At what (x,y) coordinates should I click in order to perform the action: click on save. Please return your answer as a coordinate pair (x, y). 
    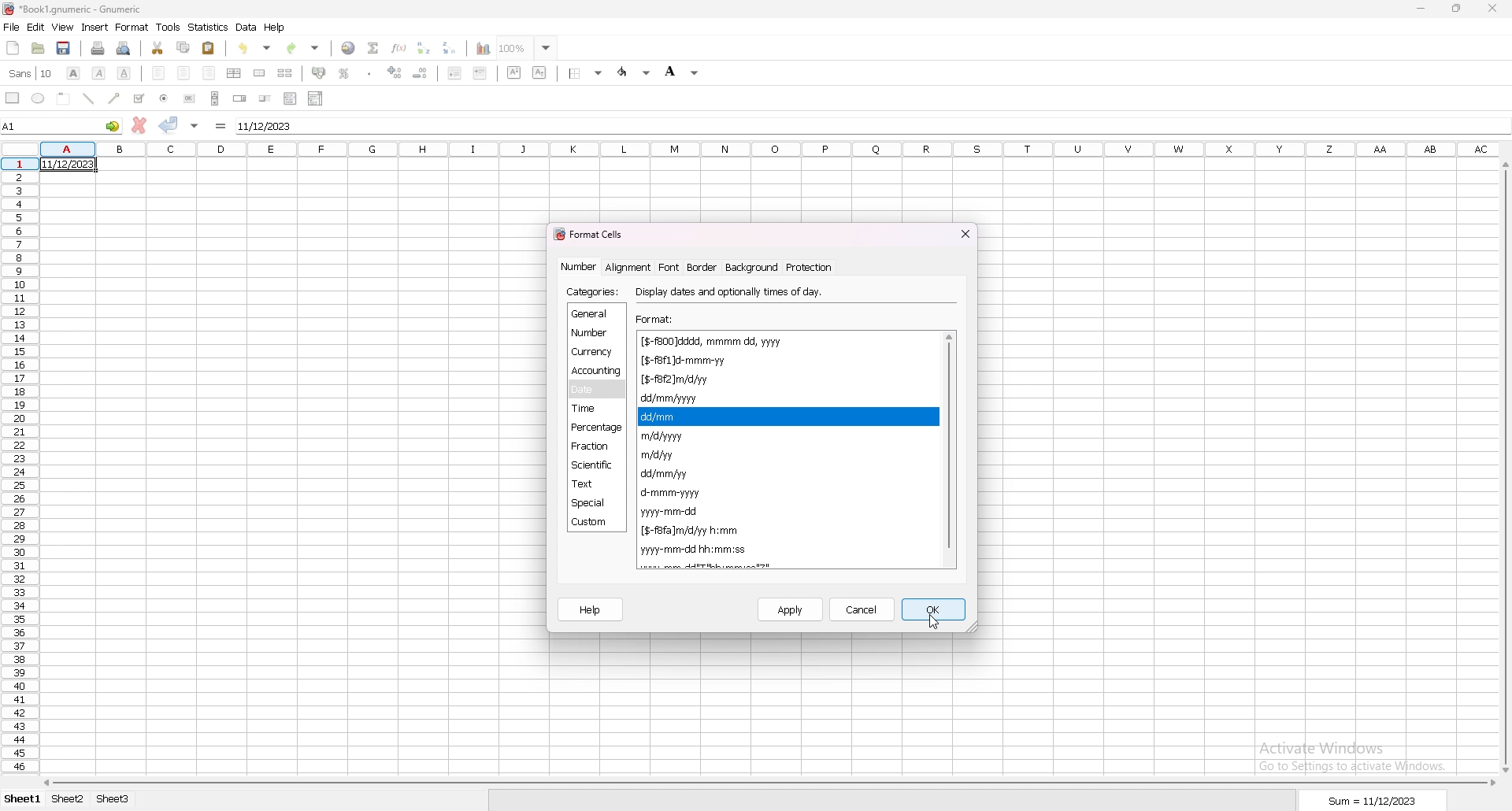
    Looking at the image, I should click on (63, 48).